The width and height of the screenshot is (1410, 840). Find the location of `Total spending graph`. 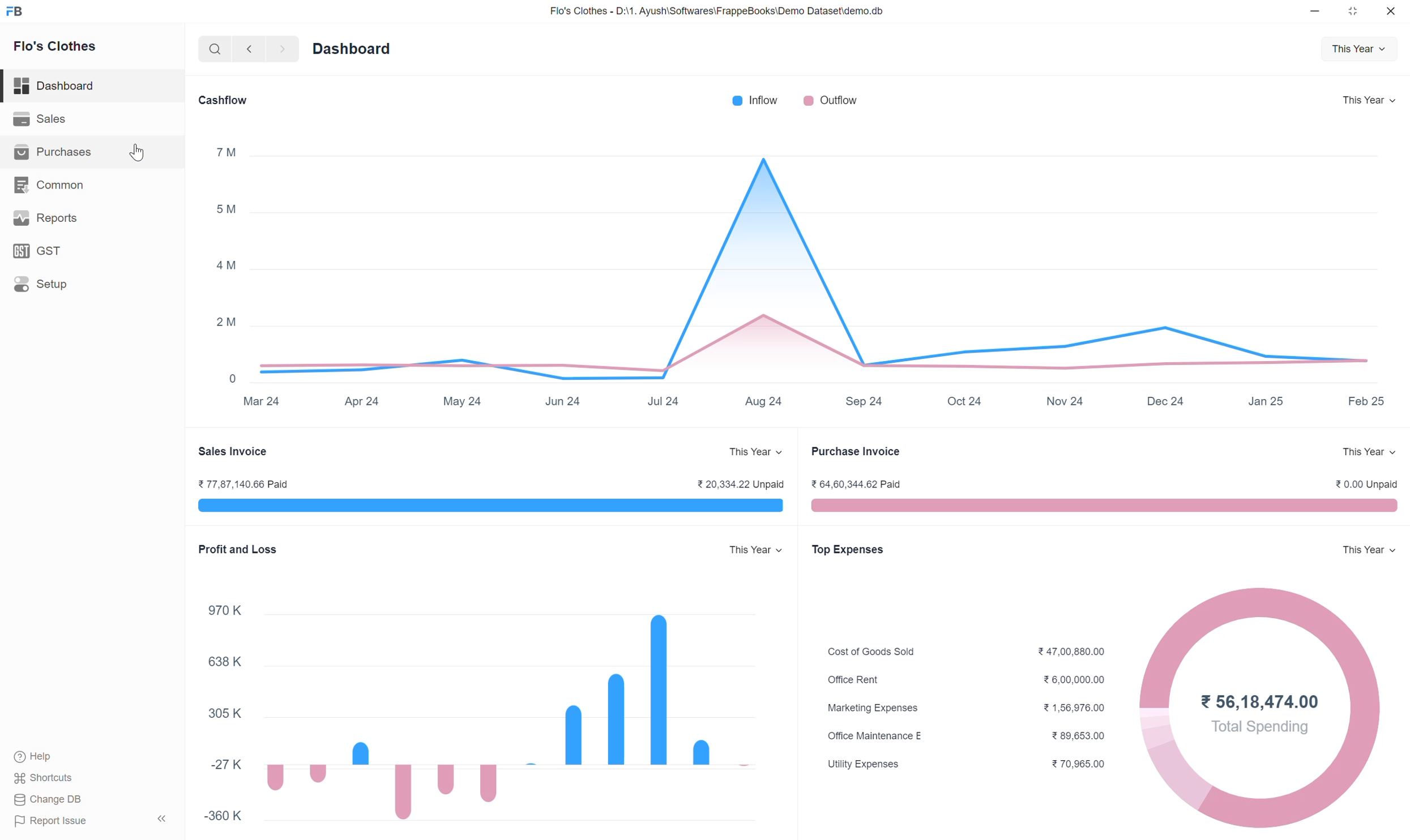

Total spending graph is located at coordinates (1164, 748).